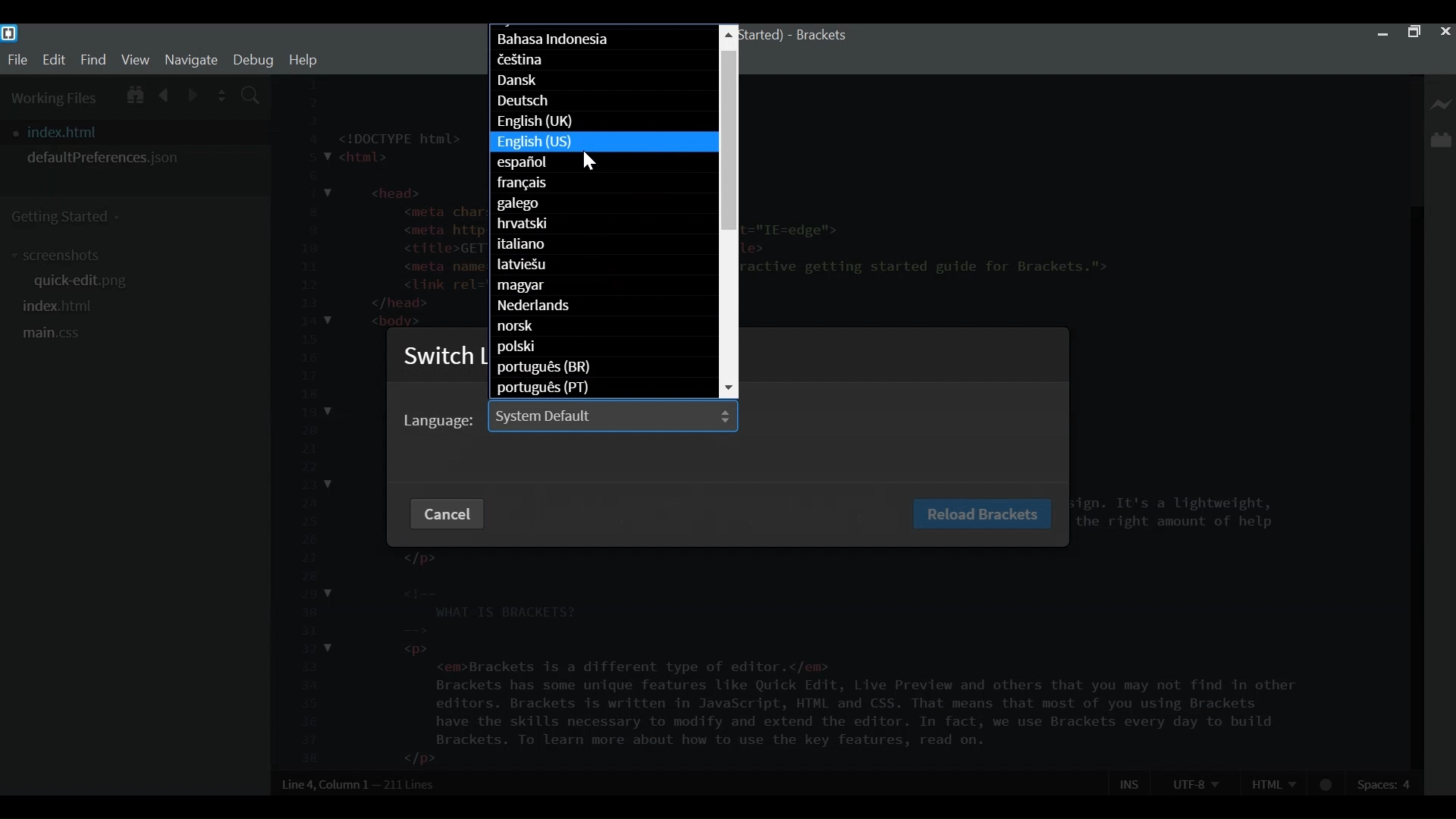  Describe the element at coordinates (601, 164) in the screenshot. I see `español` at that location.